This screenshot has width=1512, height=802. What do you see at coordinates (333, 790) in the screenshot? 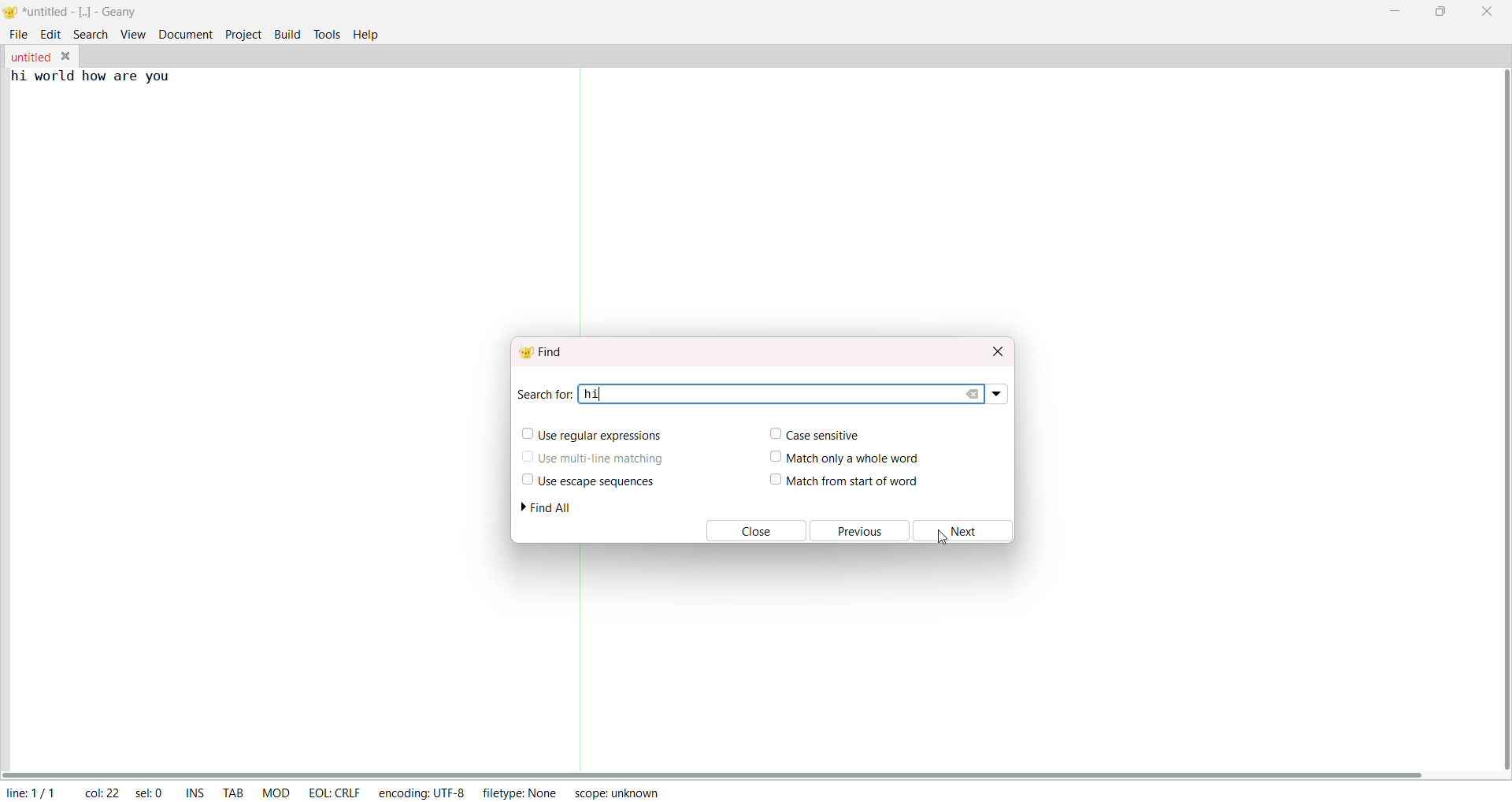
I see `eol: crlf` at bounding box center [333, 790].